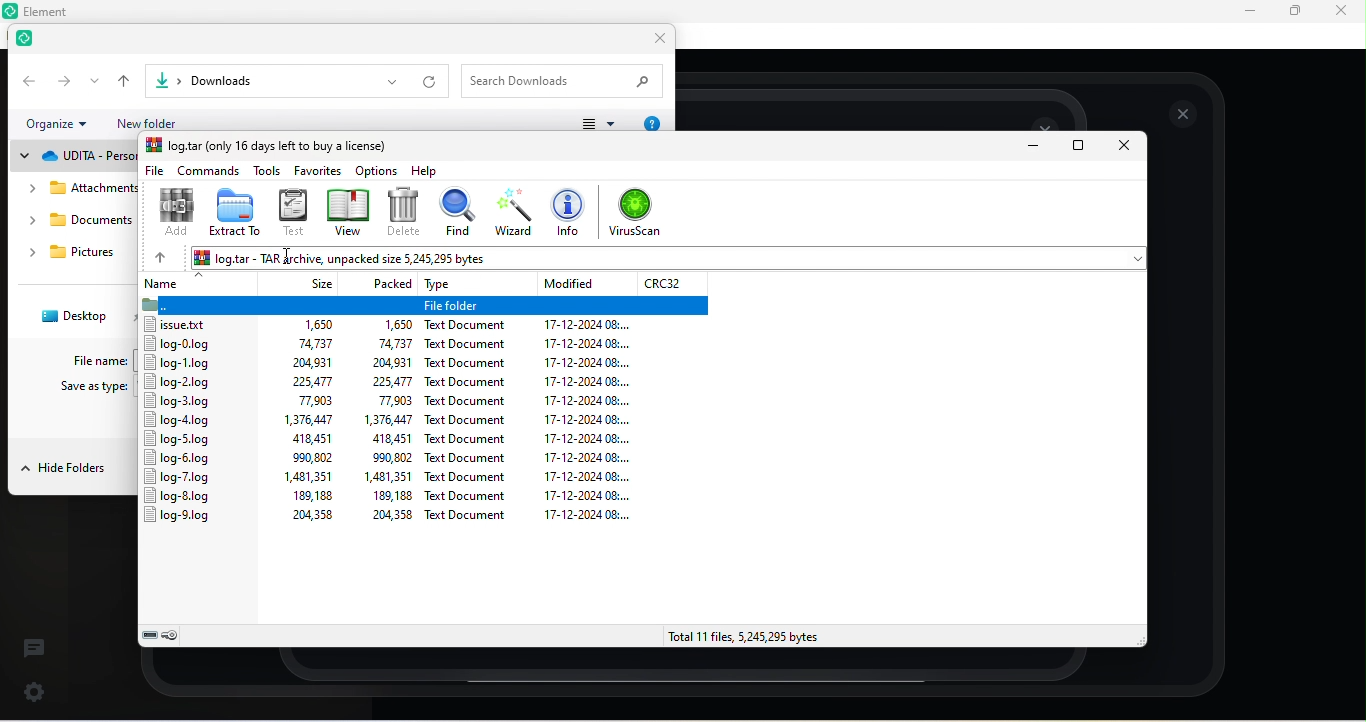  Describe the element at coordinates (95, 81) in the screenshot. I see `drop down` at that location.